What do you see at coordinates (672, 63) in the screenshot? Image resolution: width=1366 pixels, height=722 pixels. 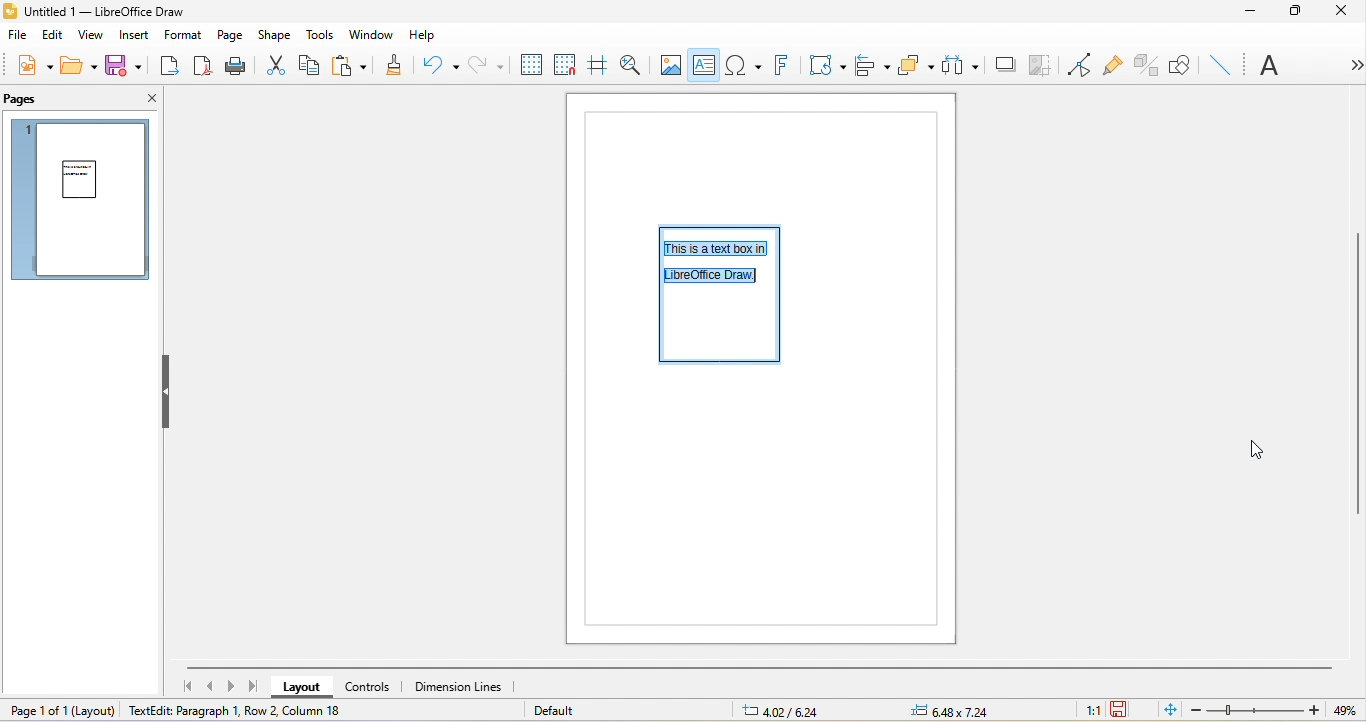 I see `image` at bounding box center [672, 63].